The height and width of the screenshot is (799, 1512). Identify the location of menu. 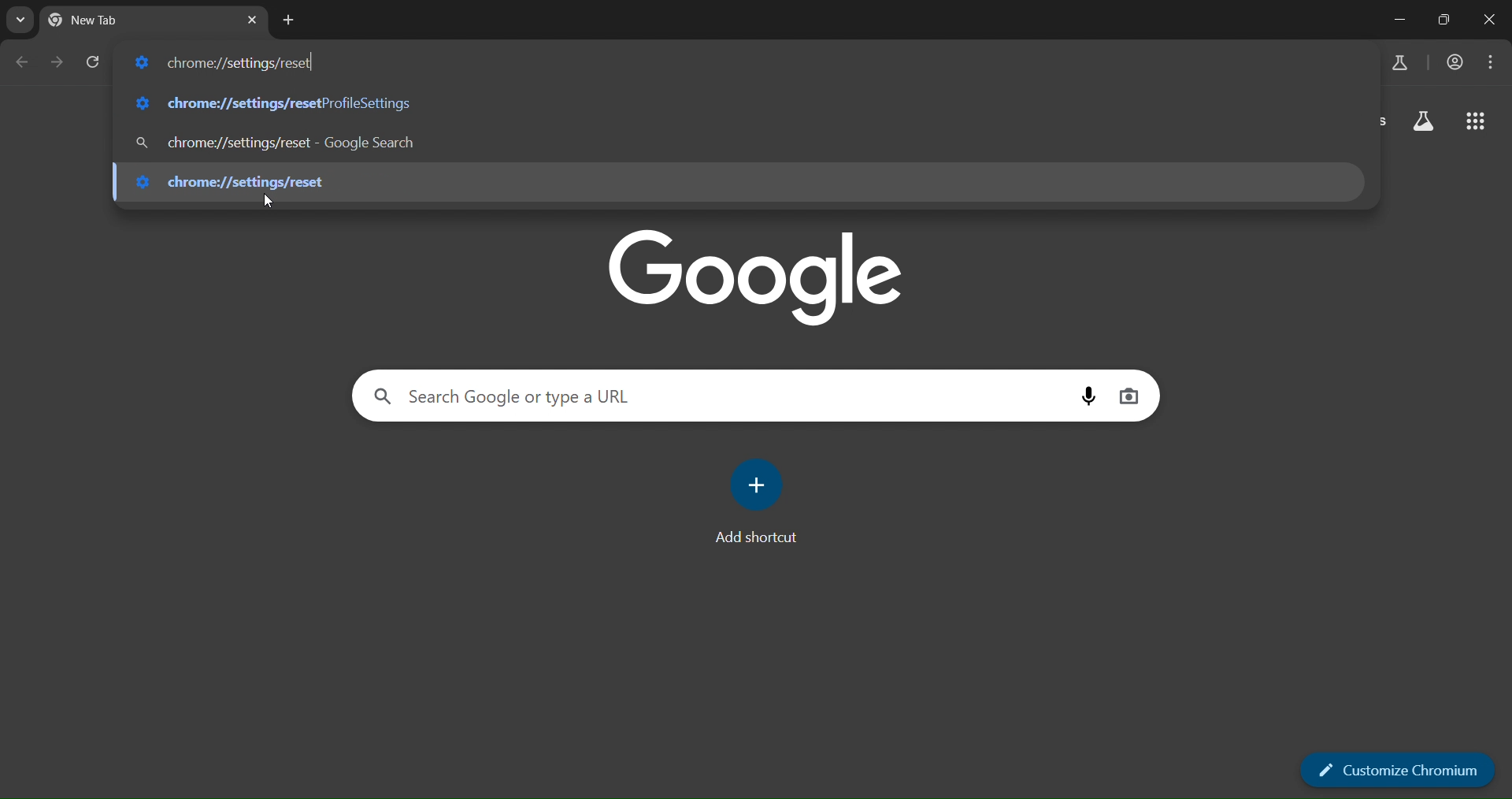
(1494, 62).